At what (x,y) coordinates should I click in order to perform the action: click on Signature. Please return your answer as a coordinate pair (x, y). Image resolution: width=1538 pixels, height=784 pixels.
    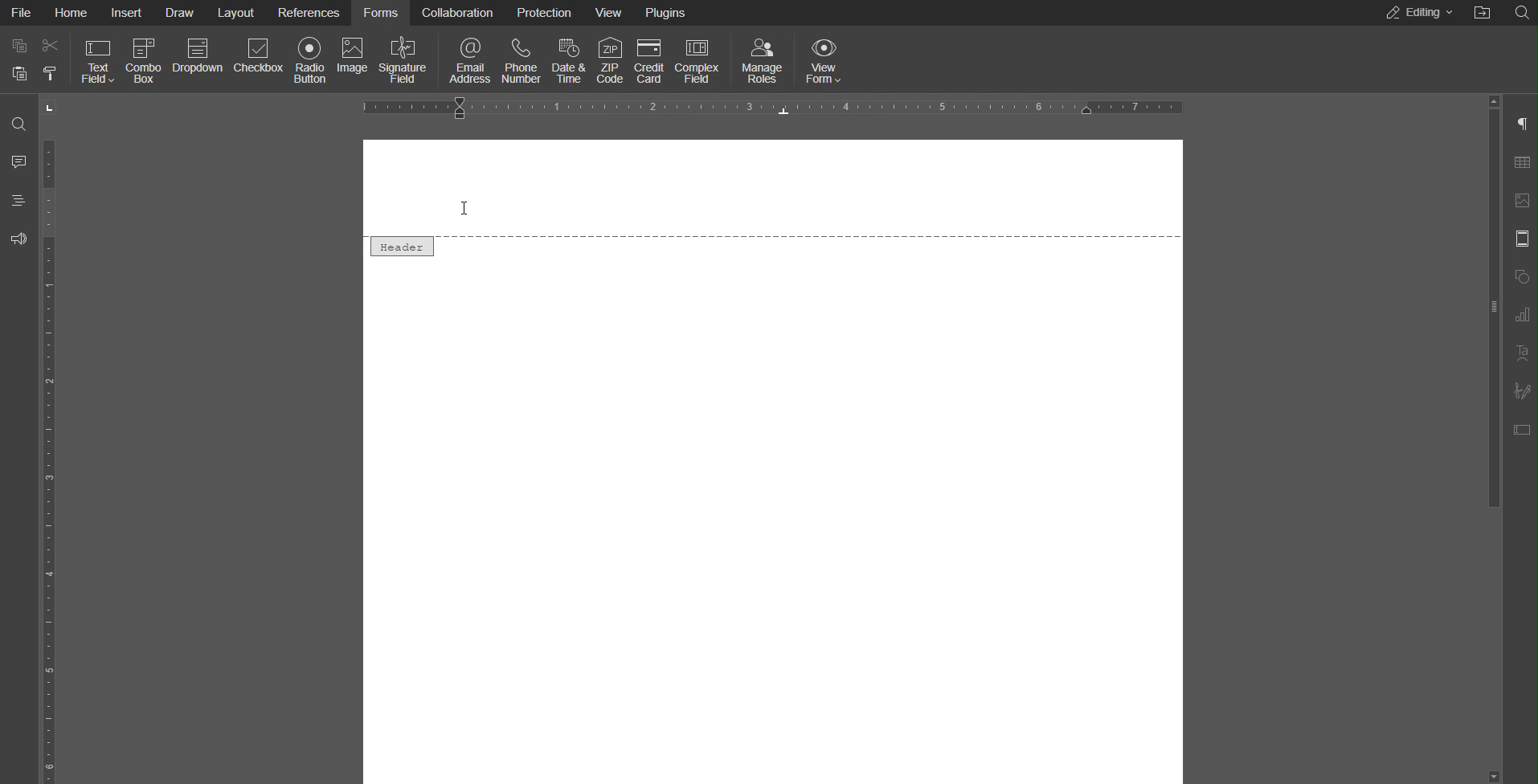
    Looking at the image, I should click on (405, 59).